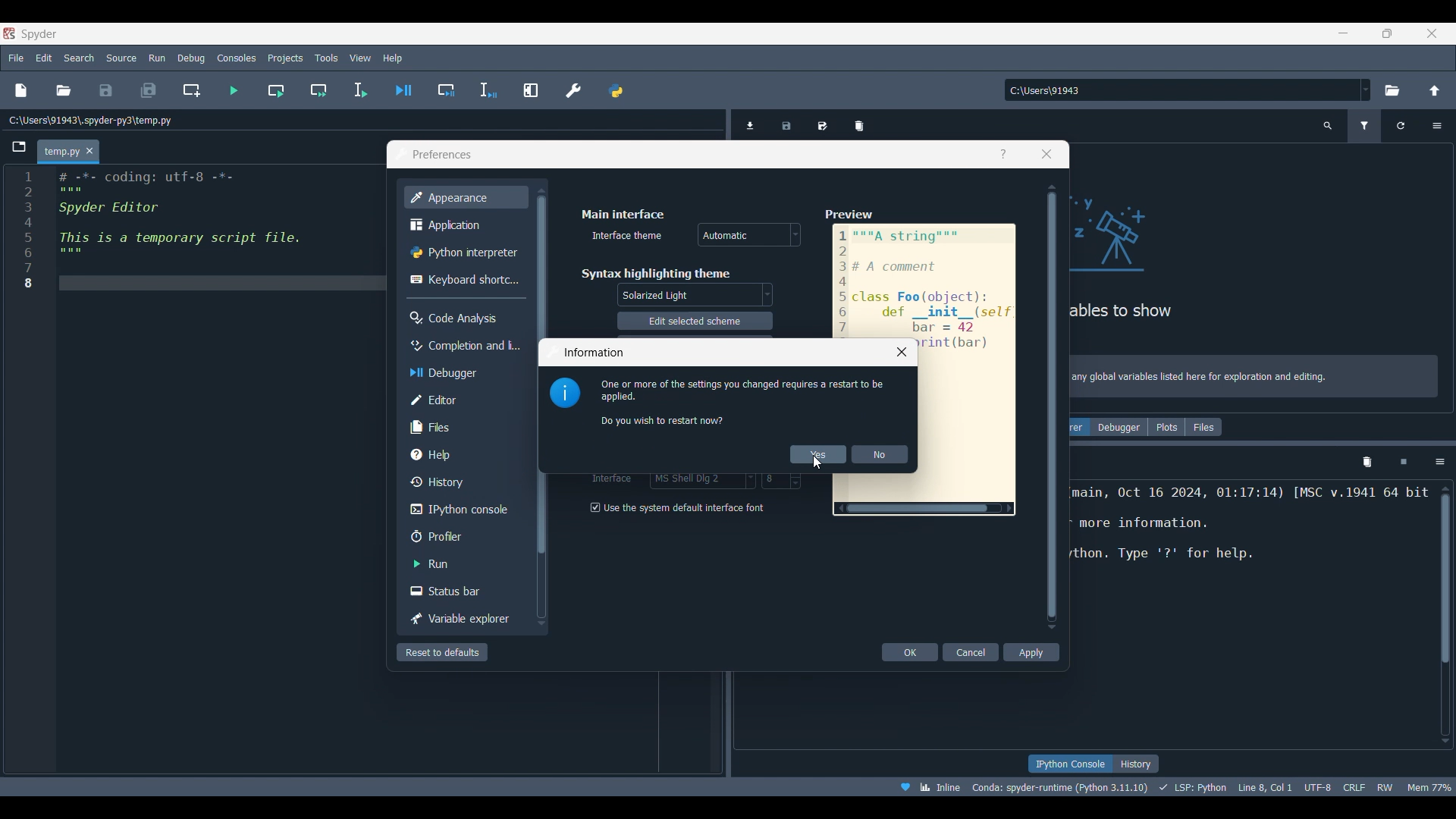 The image size is (1456, 819). What do you see at coordinates (45, 58) in the screenshot?
I see `Edit menu` at bounding box center [45, 58].